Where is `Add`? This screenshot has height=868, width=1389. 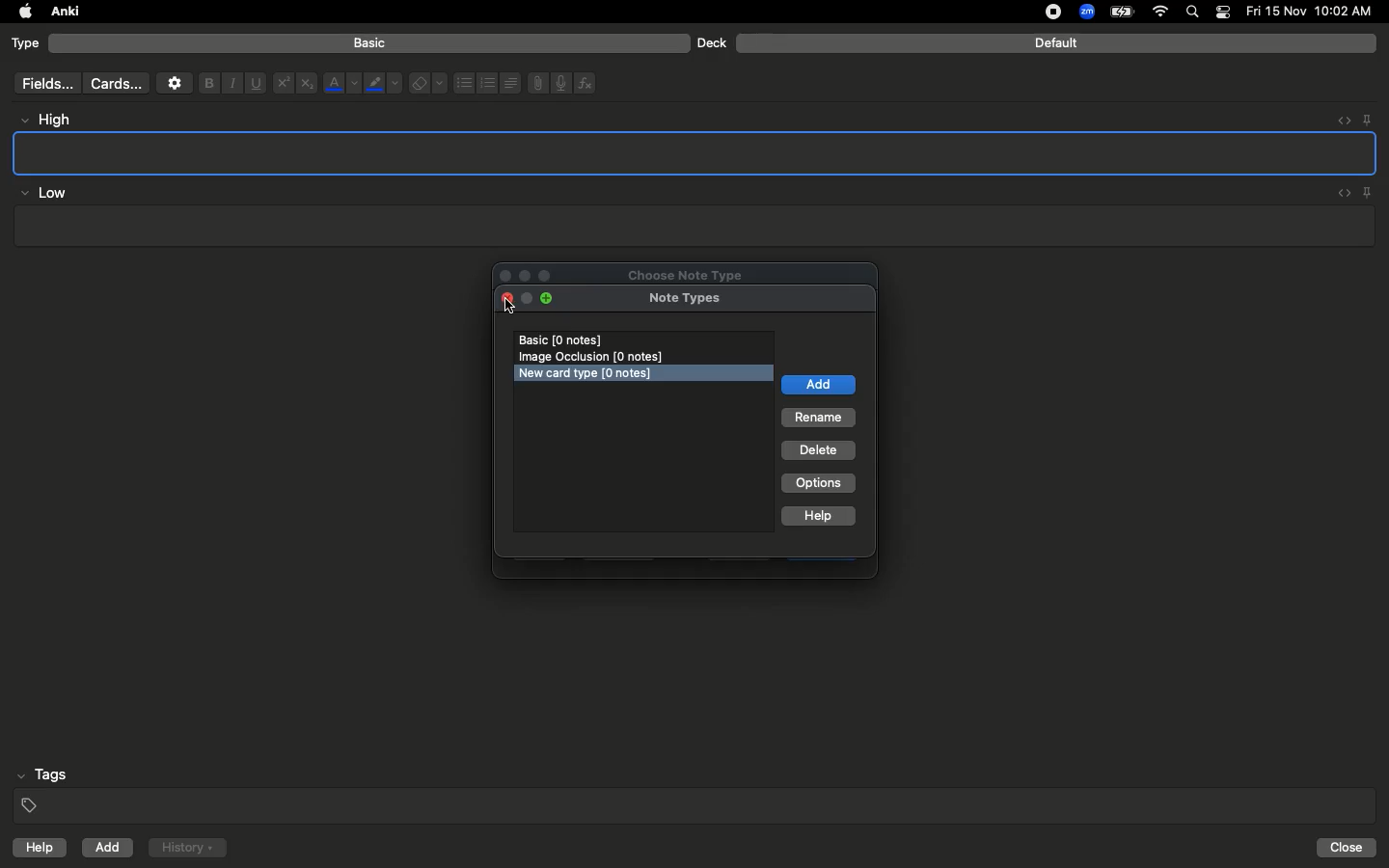
Add is located at coordinates (109, 848).